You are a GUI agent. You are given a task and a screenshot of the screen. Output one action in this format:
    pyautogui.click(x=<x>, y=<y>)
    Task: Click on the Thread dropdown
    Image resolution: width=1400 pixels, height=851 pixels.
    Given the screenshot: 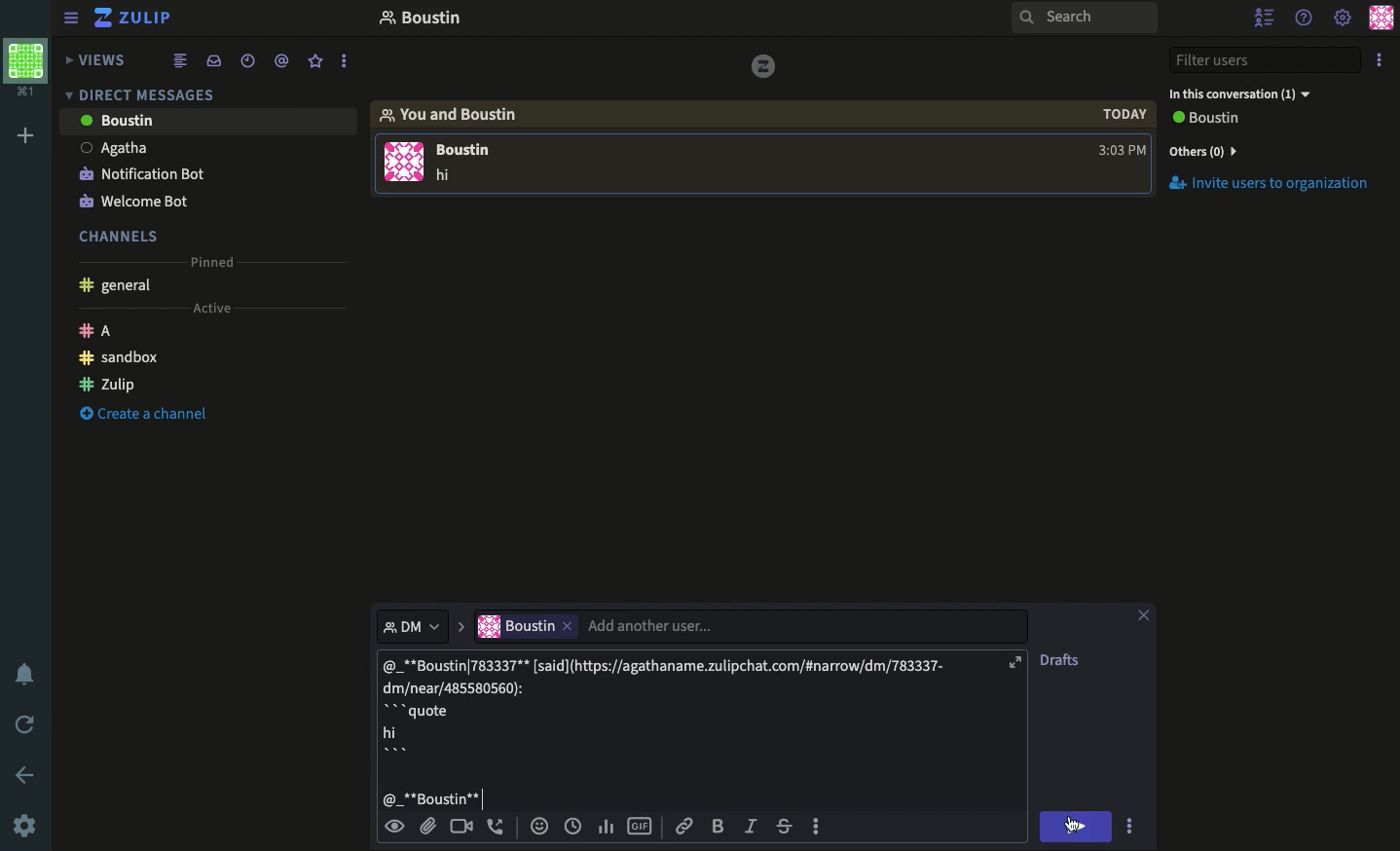 What is the action you would take?
    pyautogui.click(x=406, y=624)
    